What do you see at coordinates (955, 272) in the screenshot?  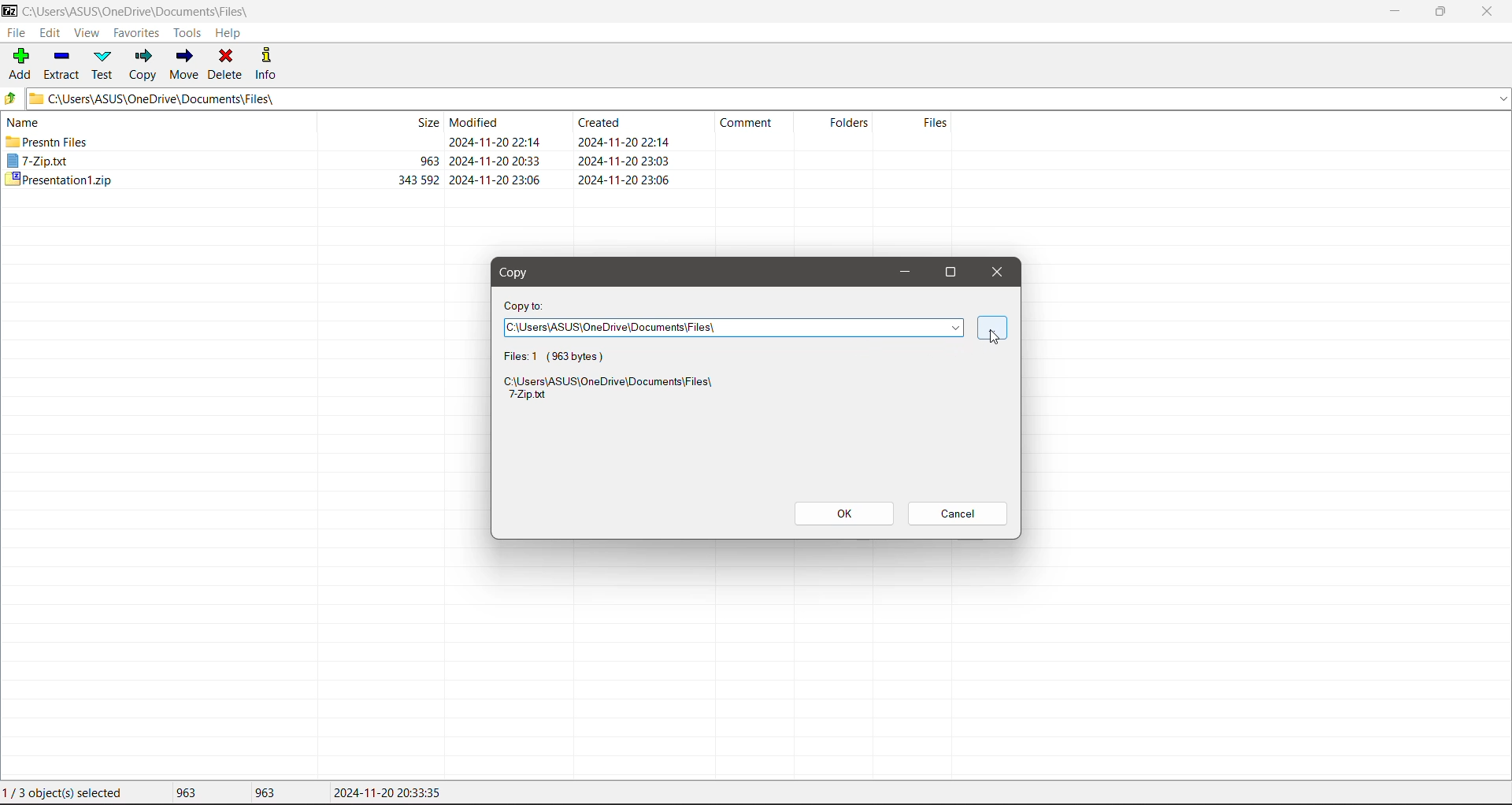 I see `Maximize` at bounding box center [955, 272].